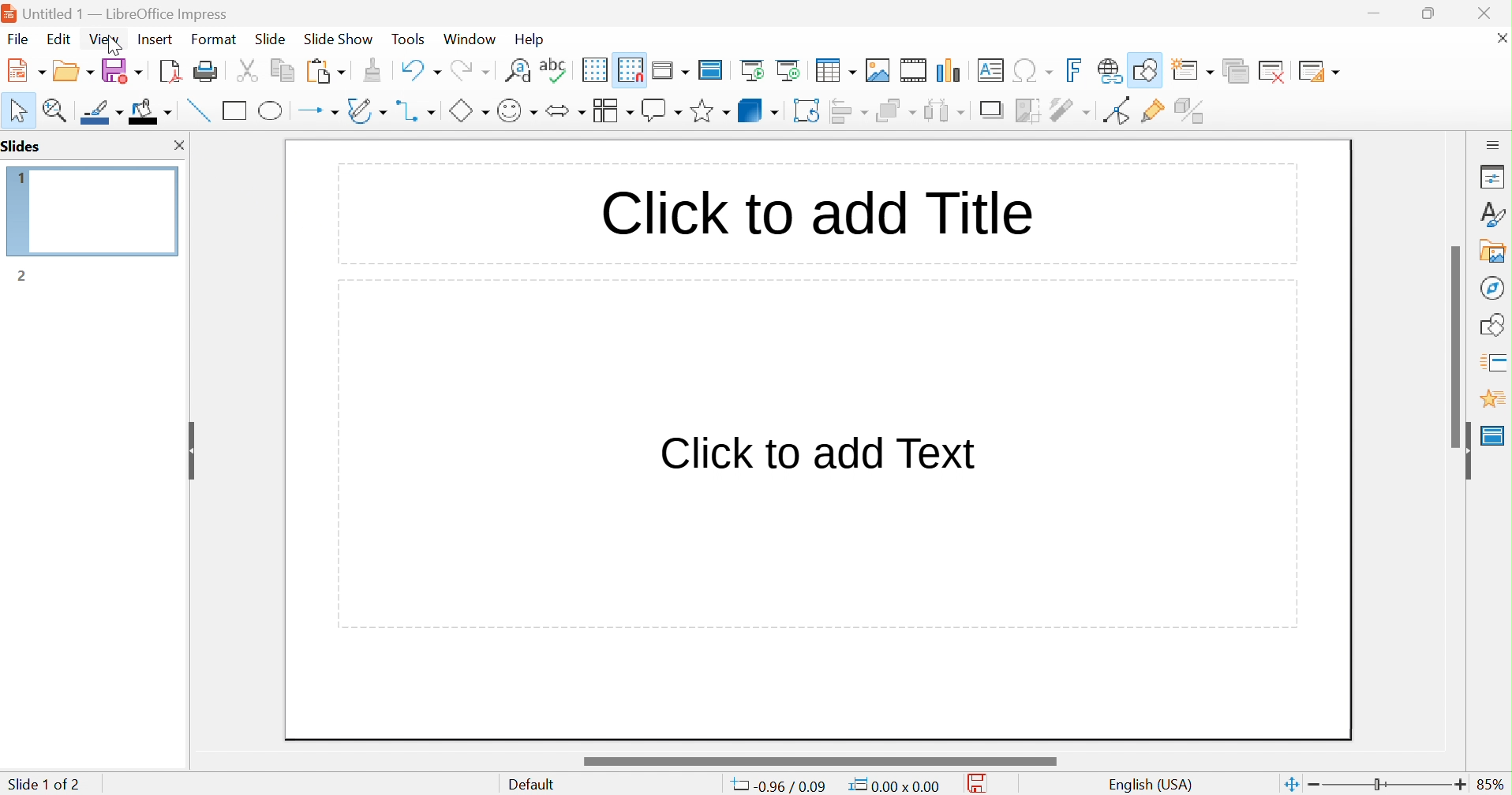 The image size is (1512, 795). I want to click on properties, so click(1493, 178).